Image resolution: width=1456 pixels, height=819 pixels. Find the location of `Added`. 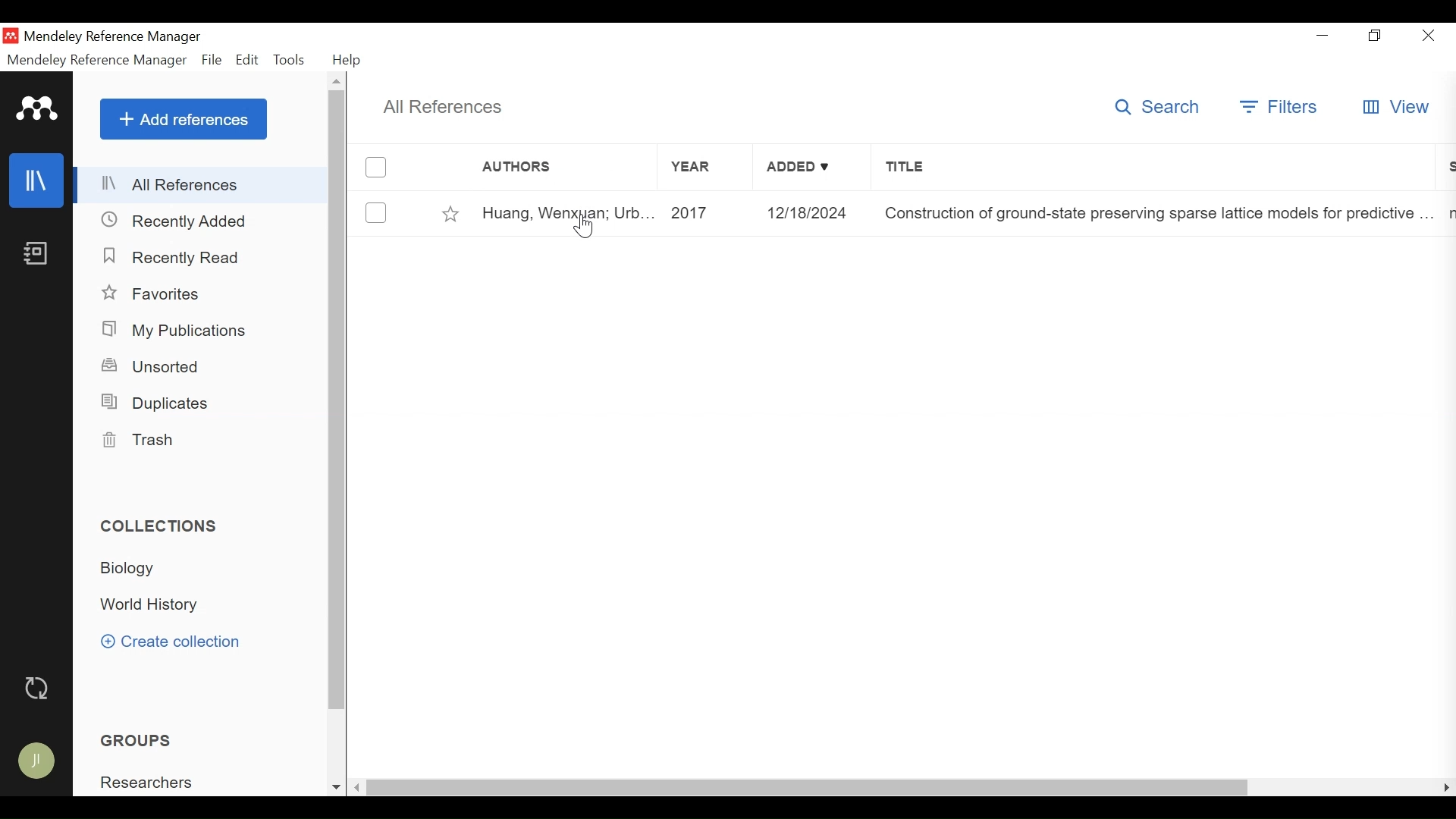

Added is located at coordinates (811, 167).